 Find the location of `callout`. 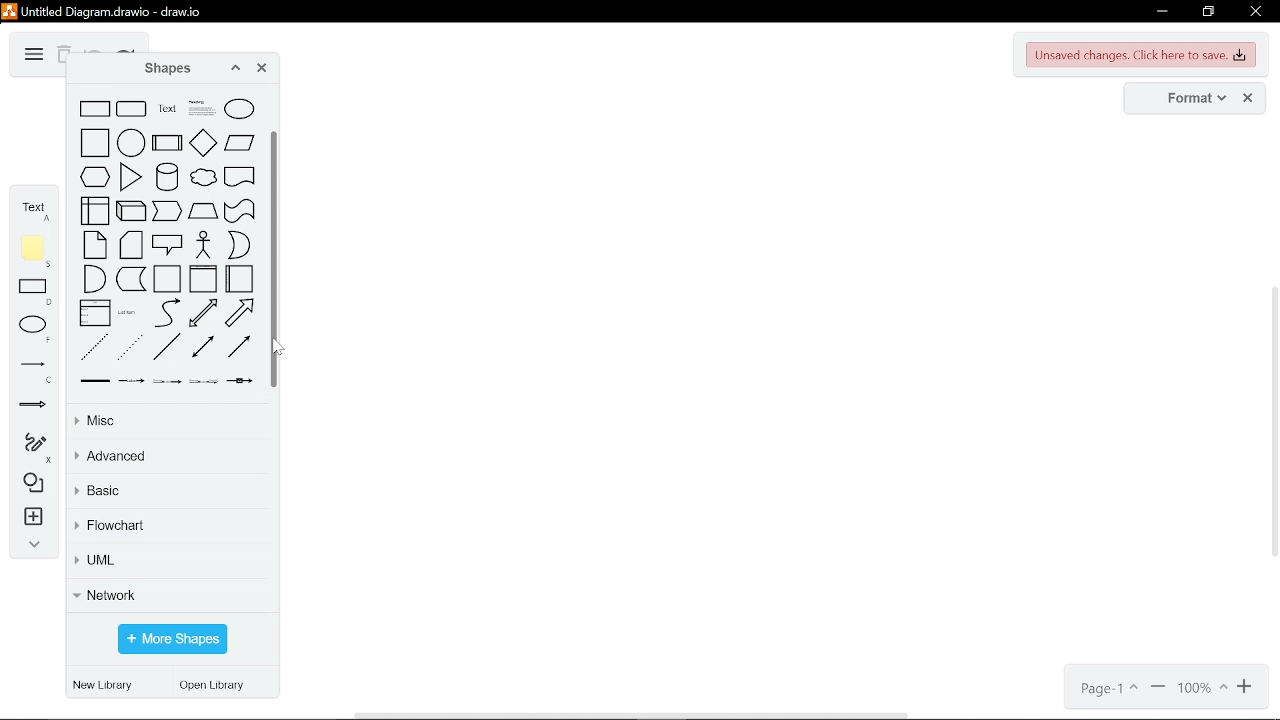

callout is located at coordinates (168, 244).